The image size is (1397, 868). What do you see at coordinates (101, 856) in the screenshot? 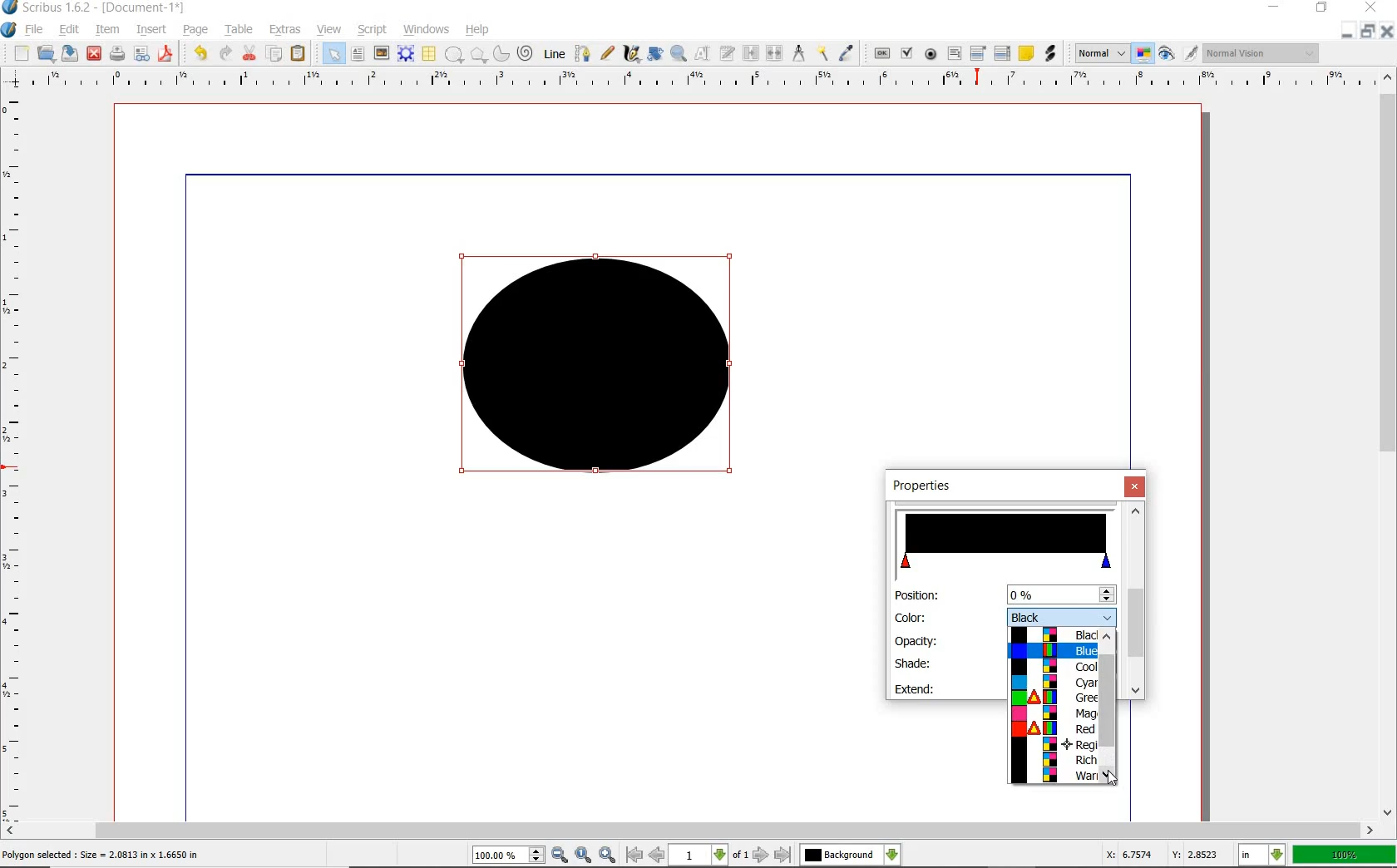
I see `selected` at bounding box center [101, 856].